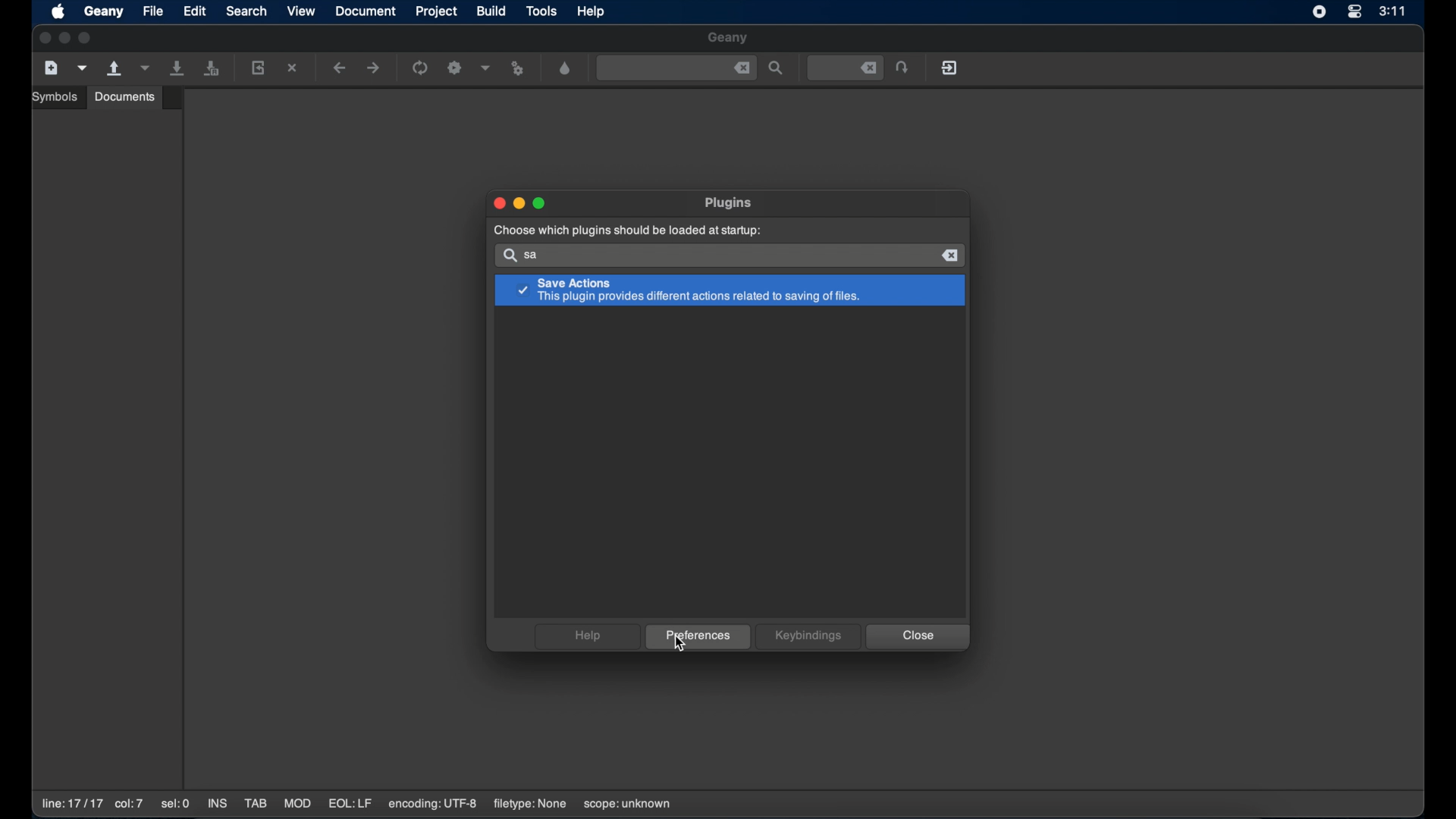 This screenshot has width=1456, height=819. I want to click on maximize, so click(87, 38).